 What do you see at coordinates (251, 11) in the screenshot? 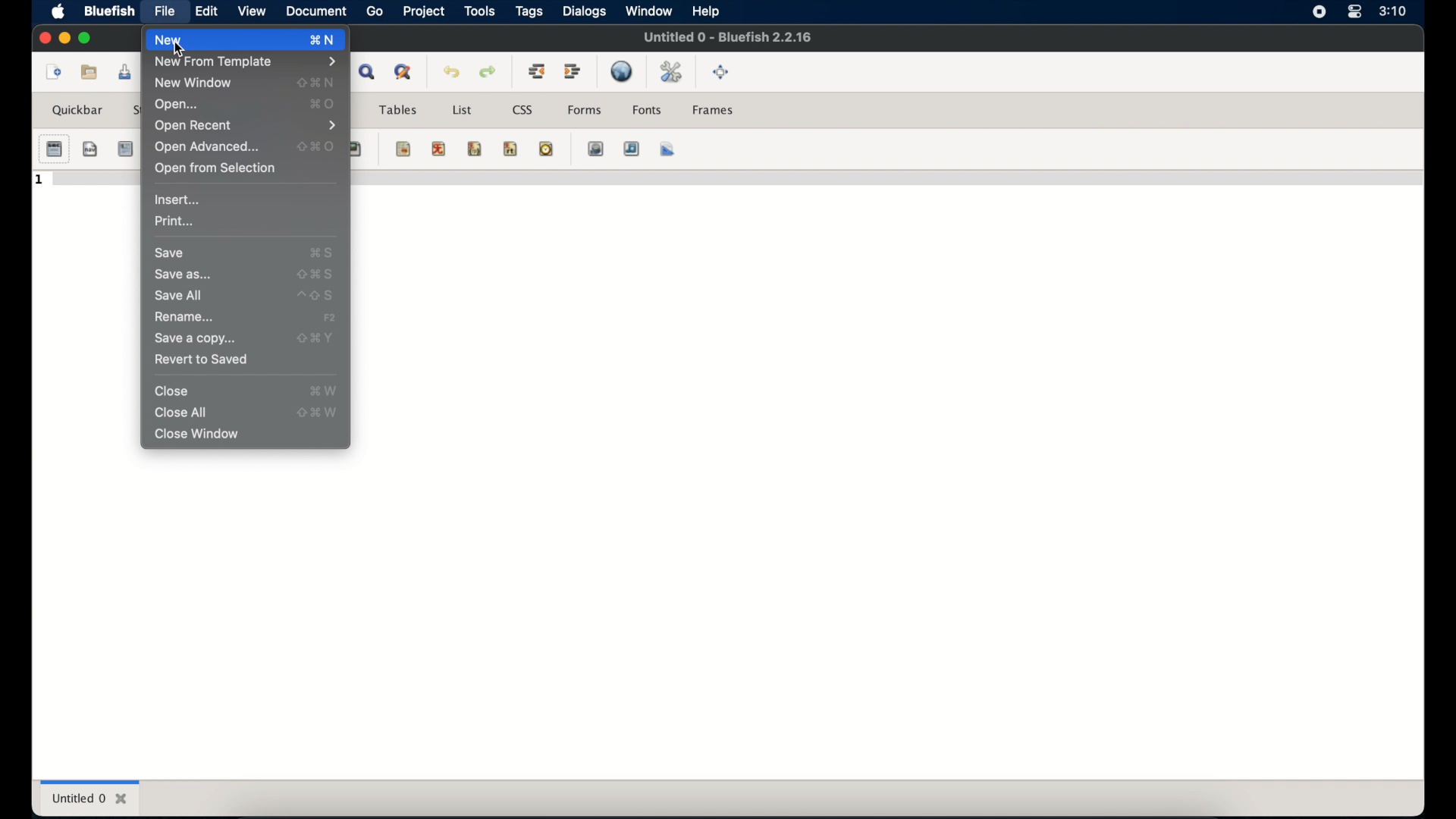
I see `view` at bounding box center [251, 11].